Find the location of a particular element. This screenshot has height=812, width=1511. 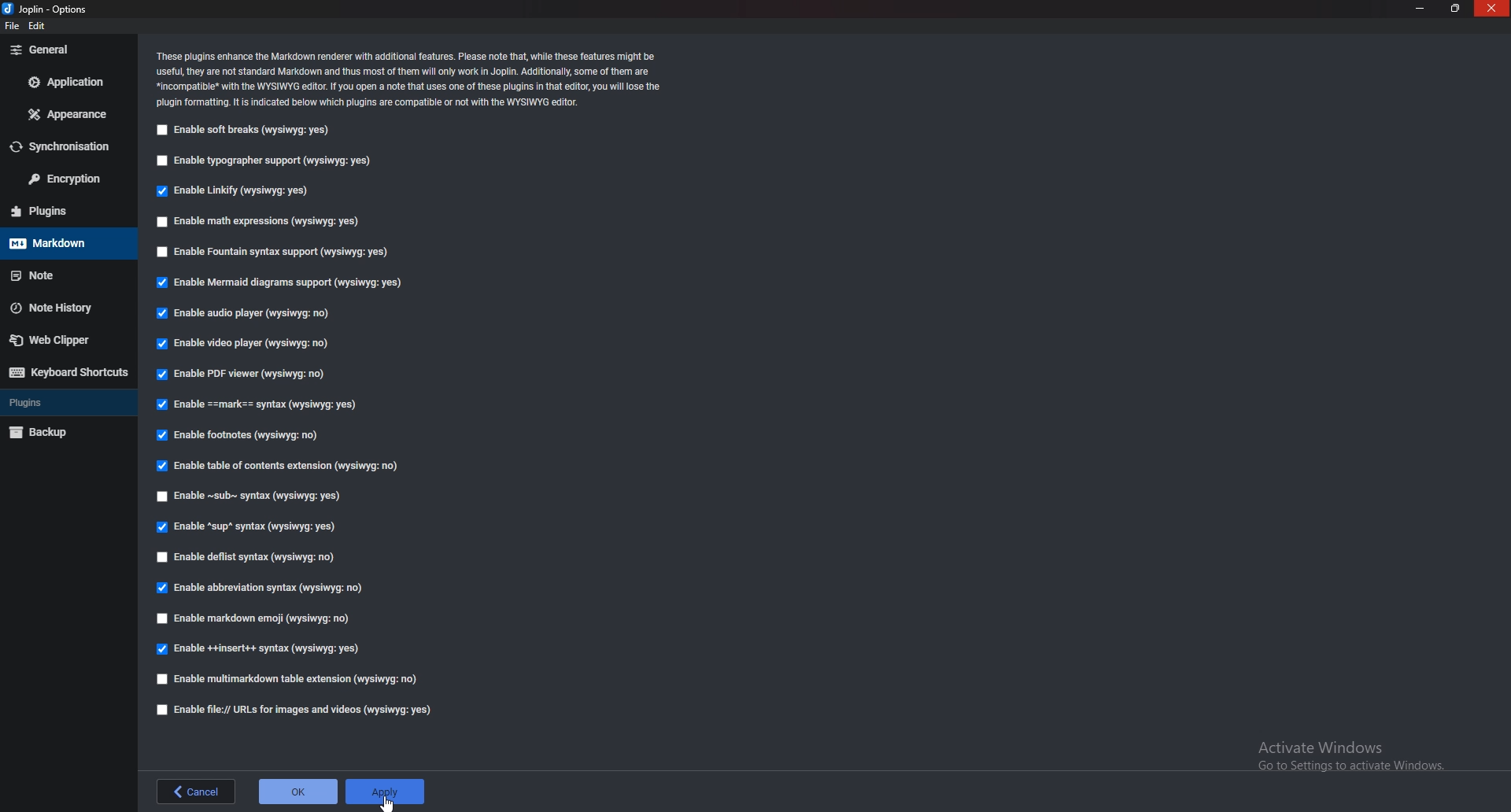

Enable sub syntax is located at coordinates (253, 497).